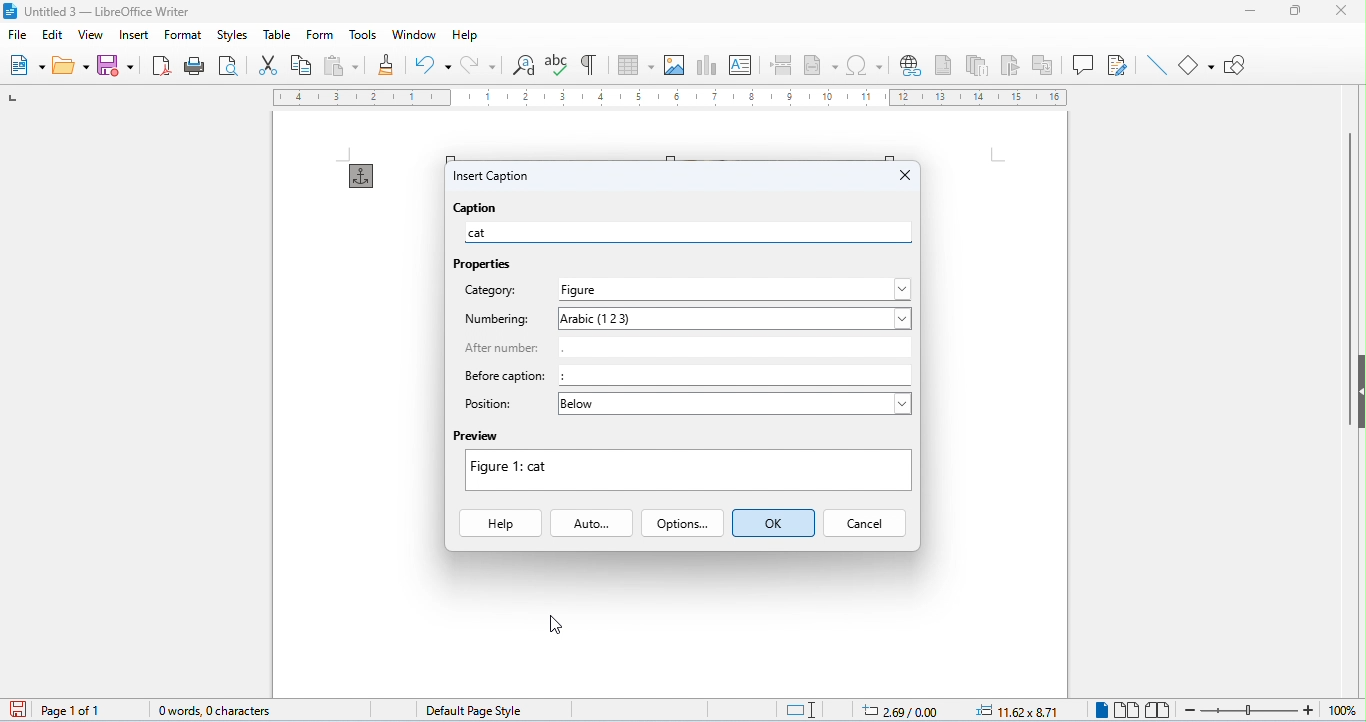 The height and width of the screenshot is (722, 1366). I want to click on new, so click(28, 65).